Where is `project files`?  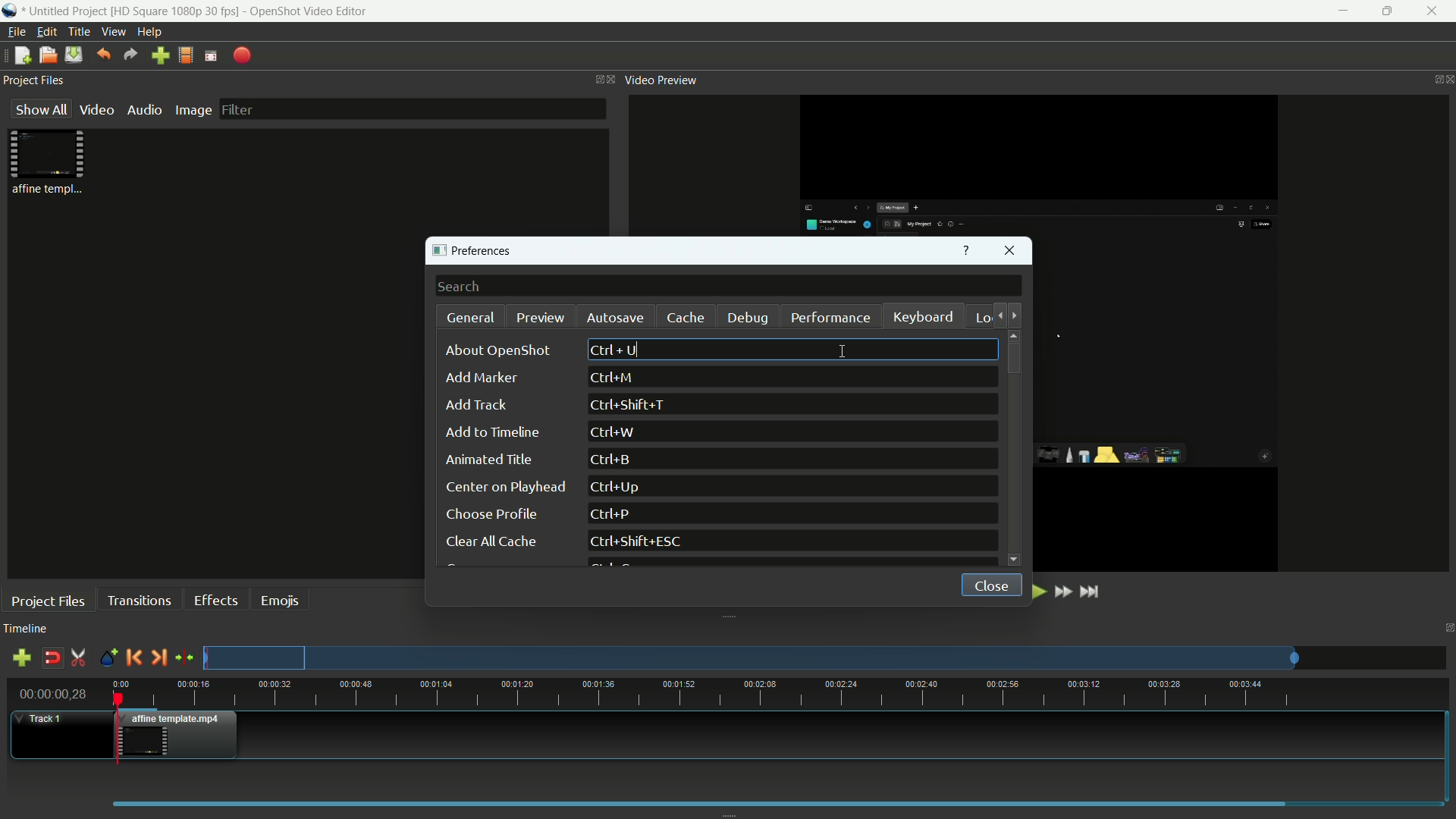
project files is located at coordinates (49, 601).